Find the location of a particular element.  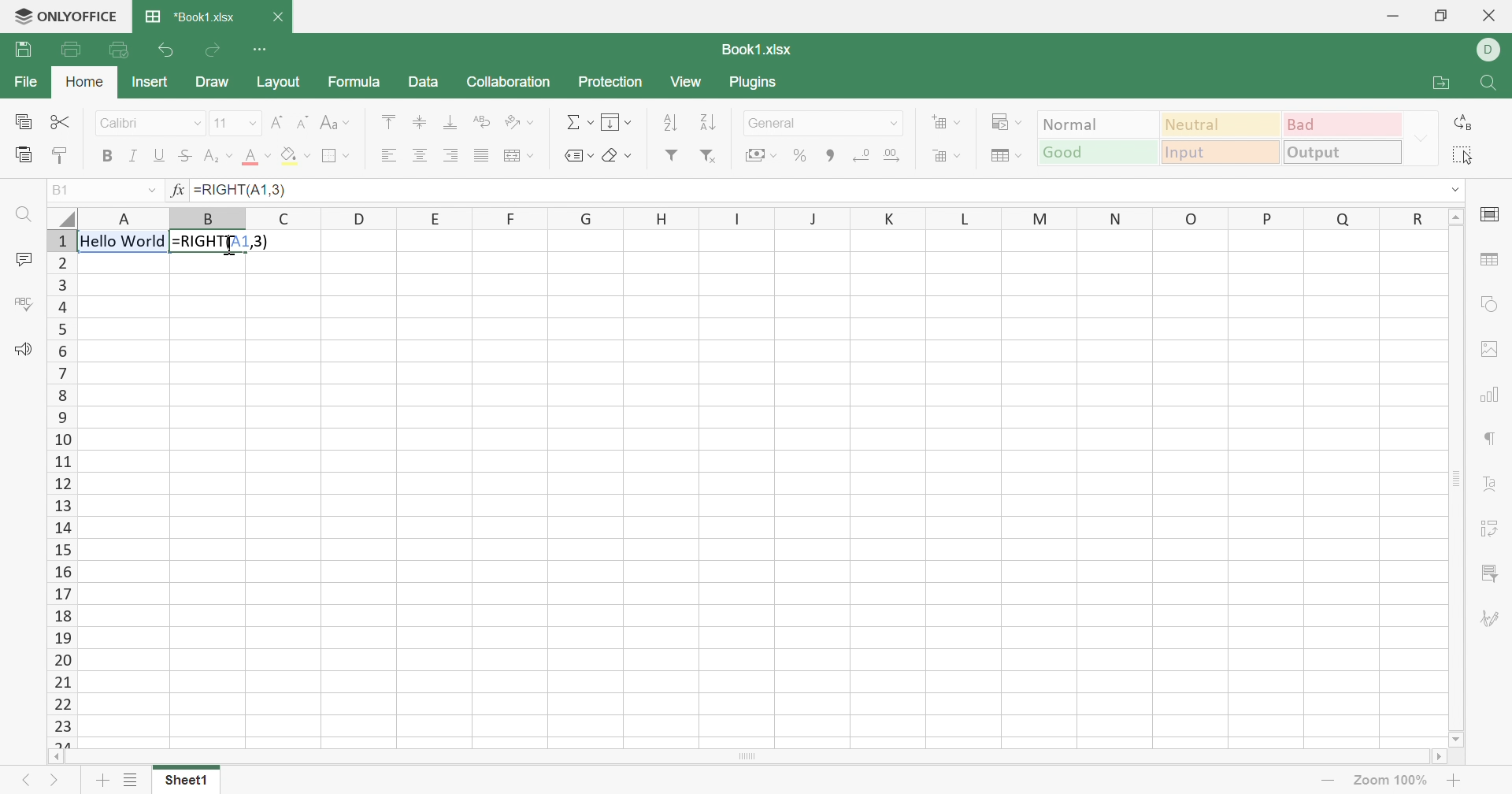

fx is located at coordinates (177, 191).